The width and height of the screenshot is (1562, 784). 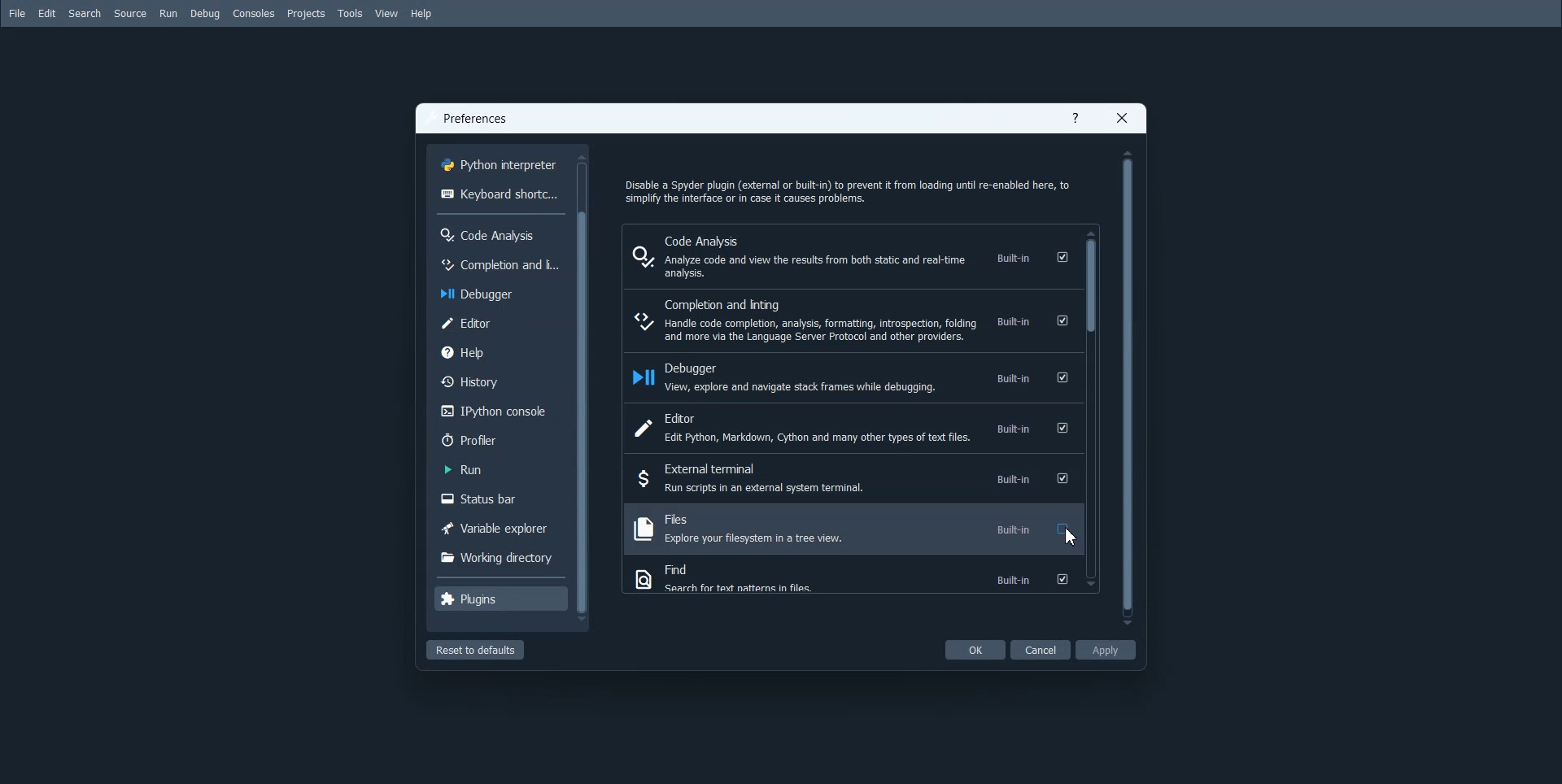 What do you see at coordinates (500, 193) in the screenshot?
I see `Keyboard shortcuts` at bounding box center [500, 193].